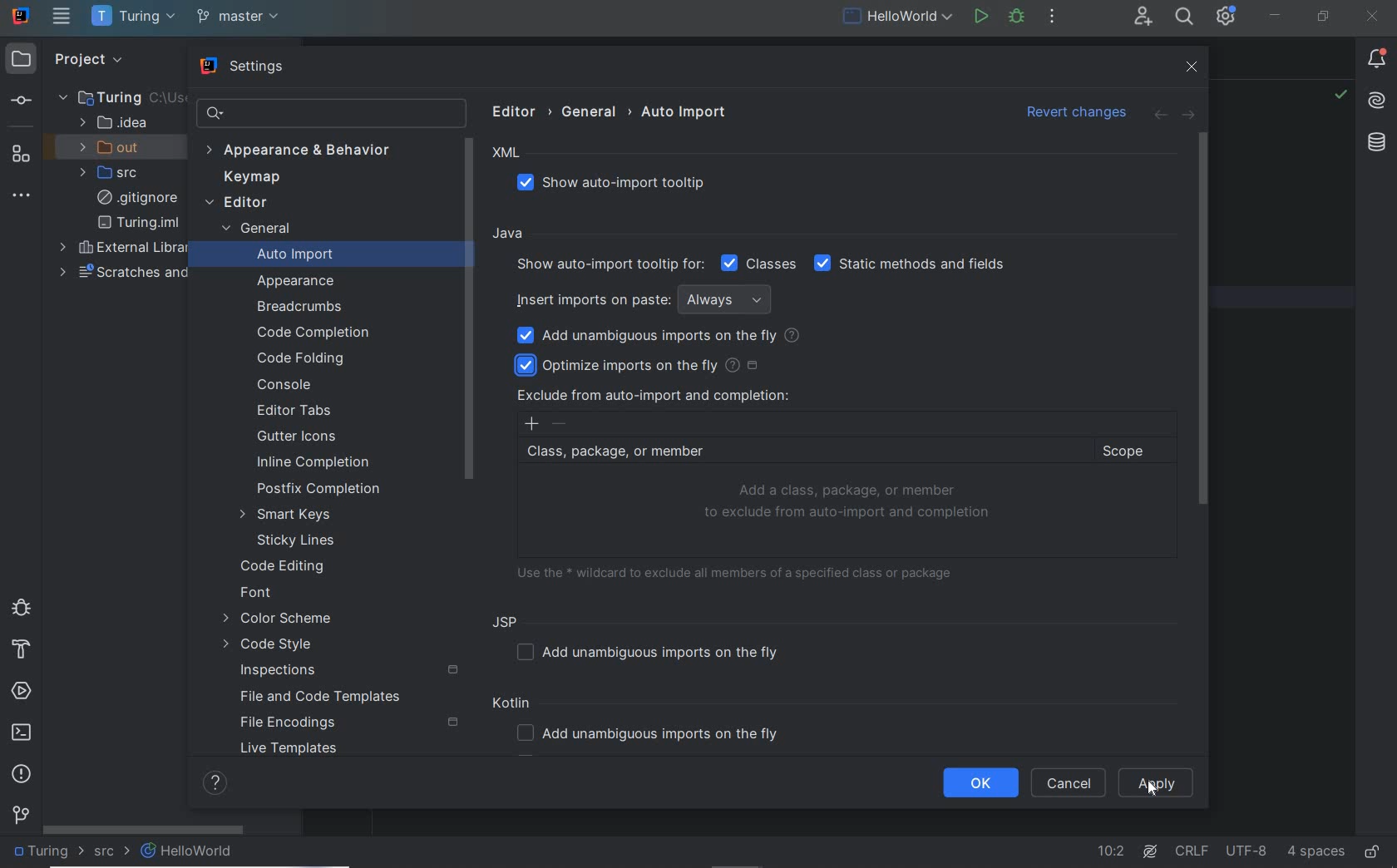 The height and width of the screenshot is (868, 1397). What do you see at coordinates (297, 282) in the screenshot?
I see `APPEARANCE` at bounding box center [297, 282].